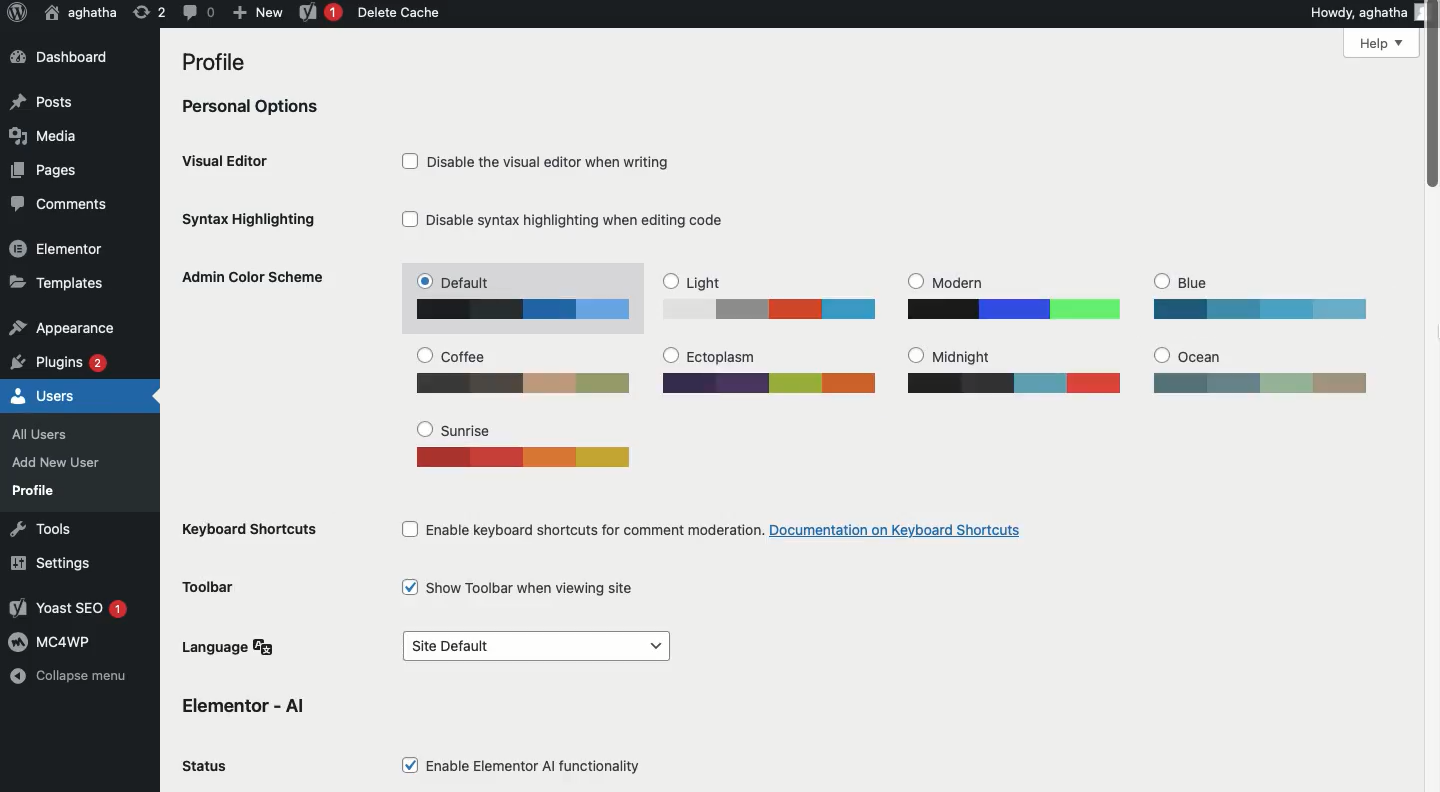 Image resolution: width=1440 pixels, height=792 pixels. I want to click on Keyboard shortcuts, so click(240, 531).